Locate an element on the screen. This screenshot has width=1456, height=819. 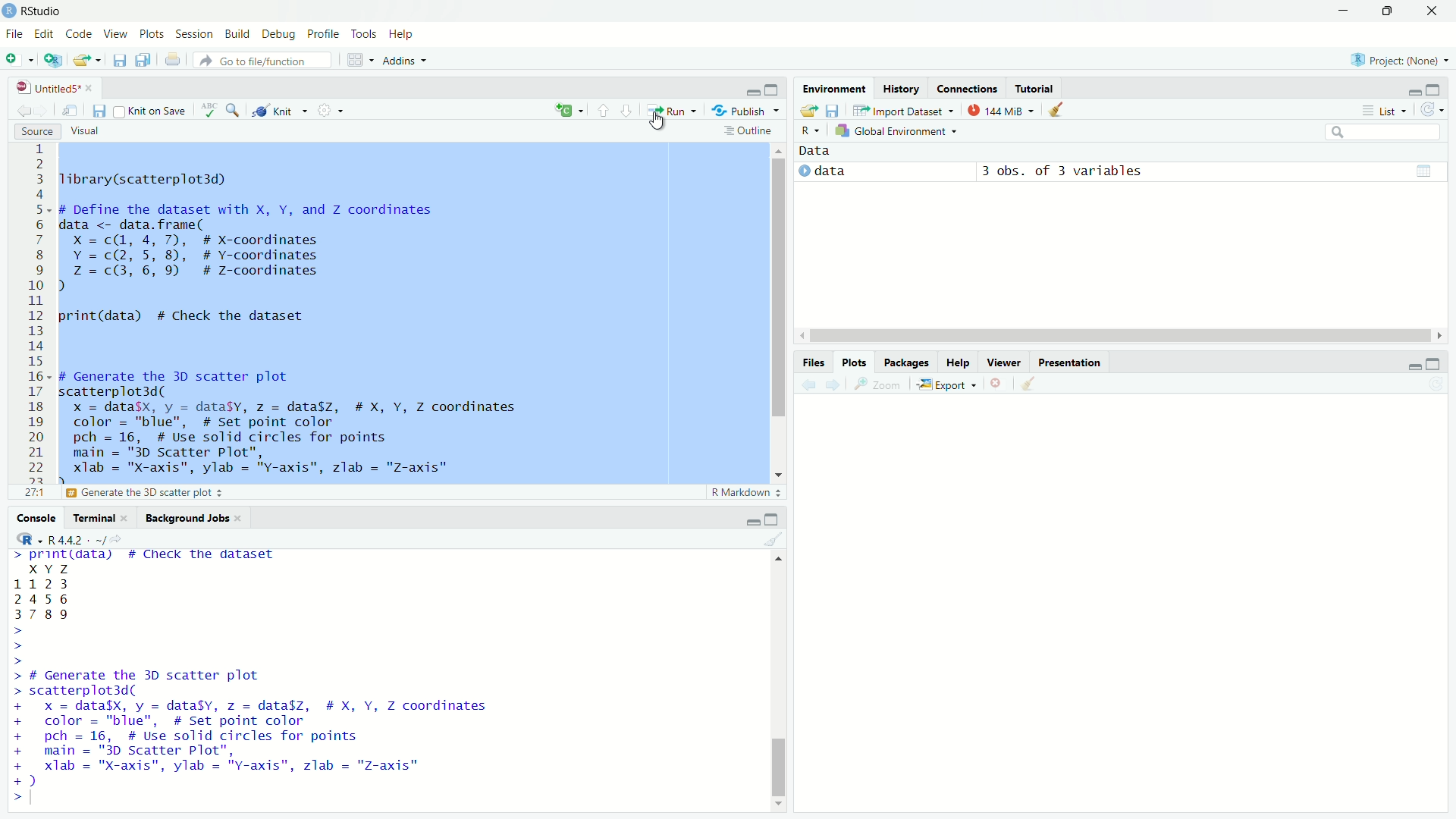
go to file/function is located at coordinates (266, 60).